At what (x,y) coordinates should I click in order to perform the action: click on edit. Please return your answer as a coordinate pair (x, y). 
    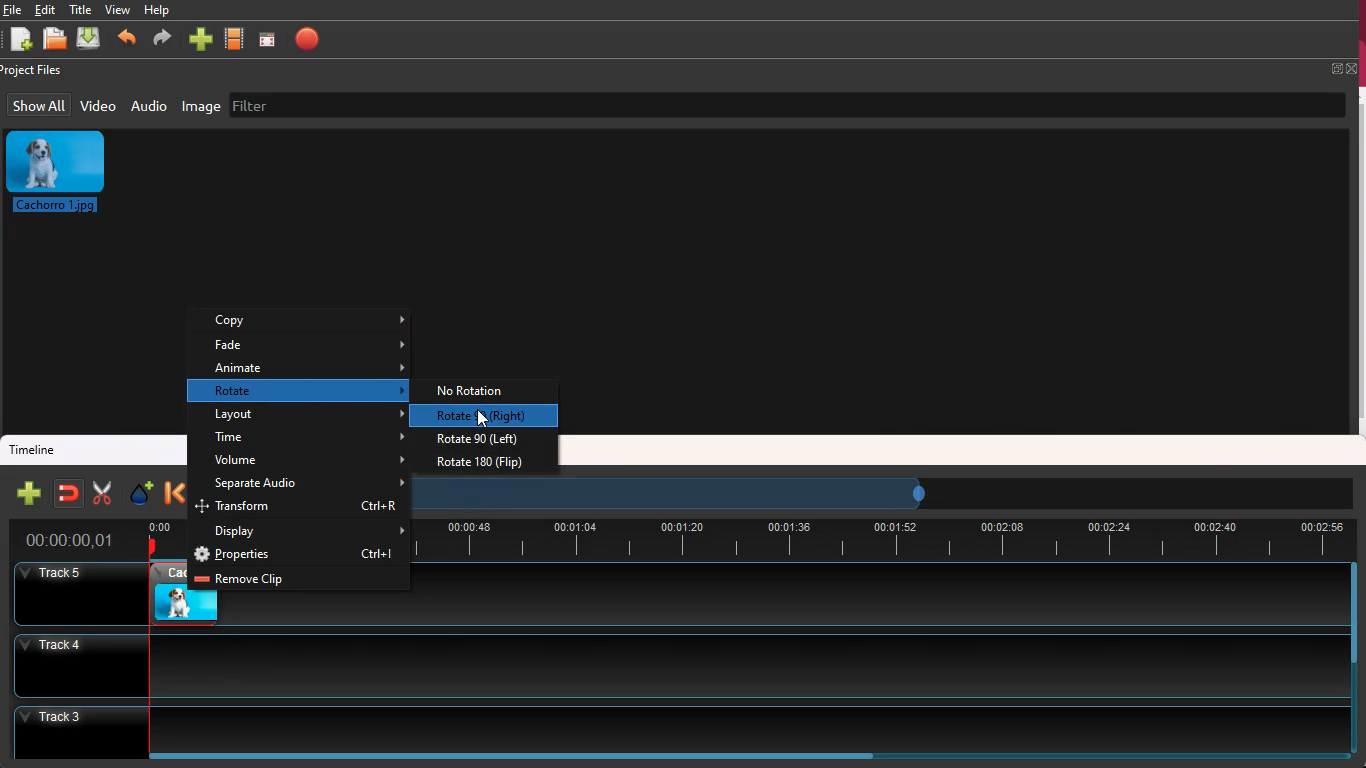
    Looking at the image, I should click on (45, 10).